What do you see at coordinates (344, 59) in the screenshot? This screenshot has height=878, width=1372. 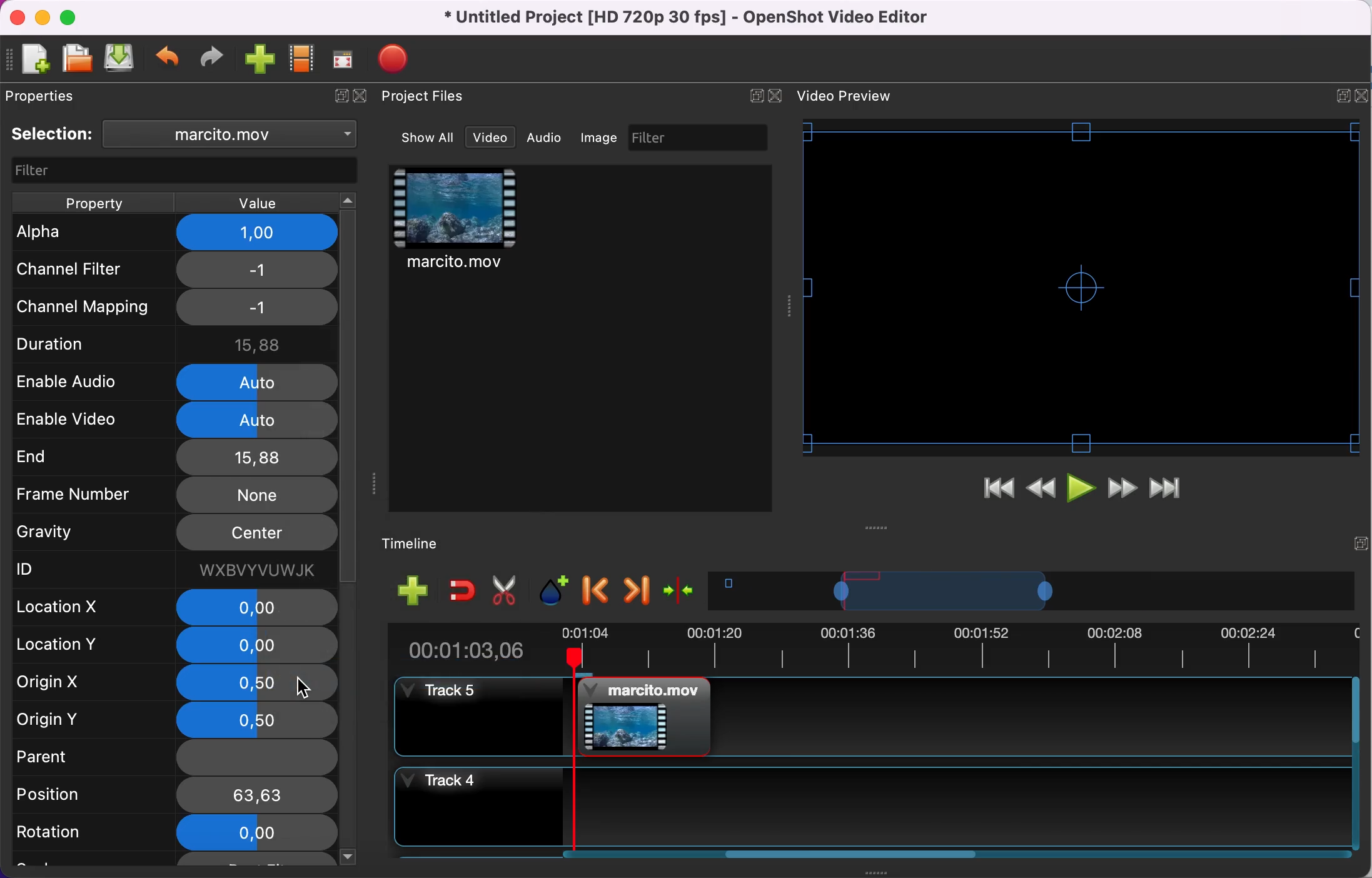 I see `fullscreen` at bounding box center [344, 59].